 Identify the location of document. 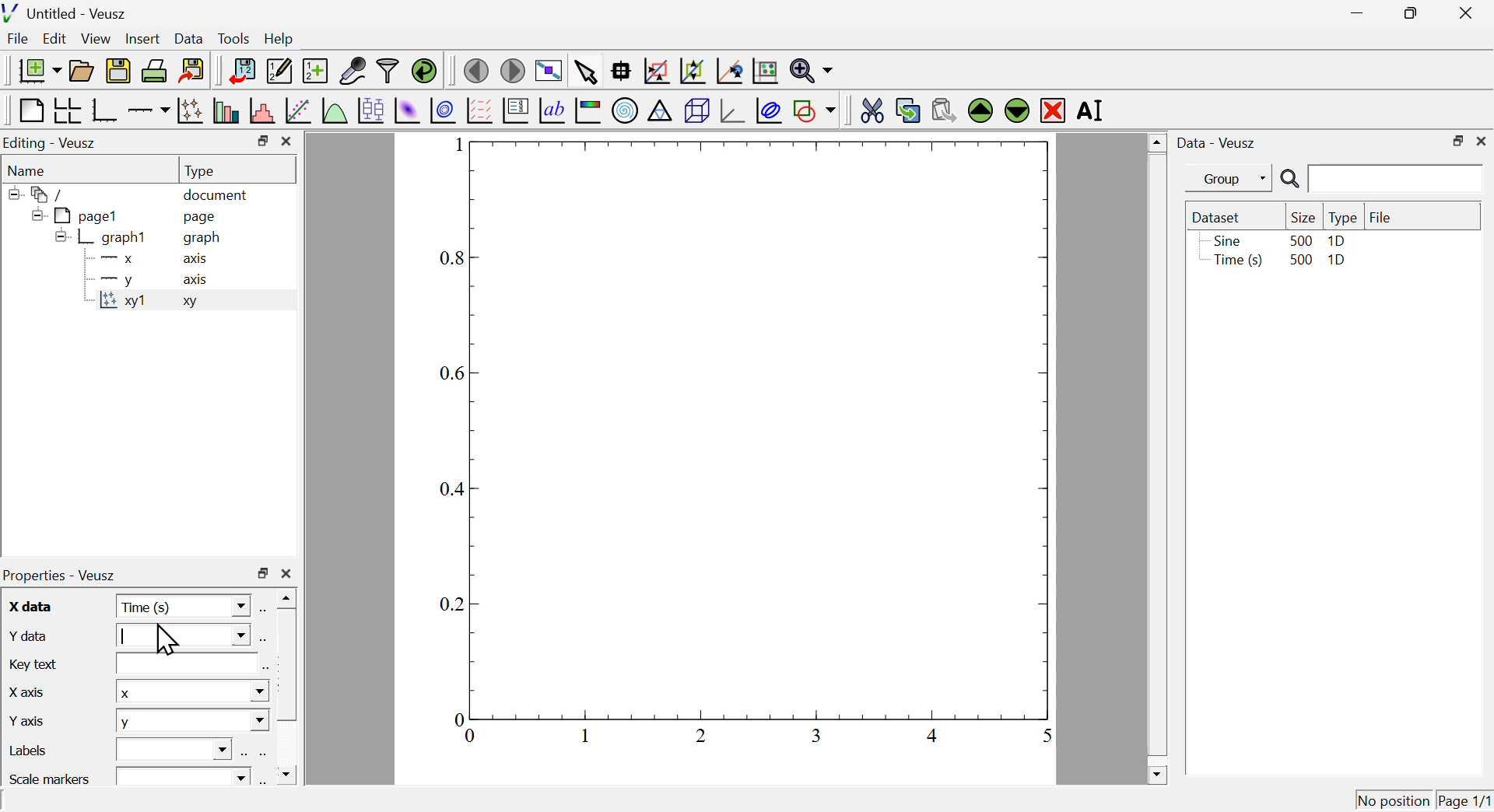
(217, 196).